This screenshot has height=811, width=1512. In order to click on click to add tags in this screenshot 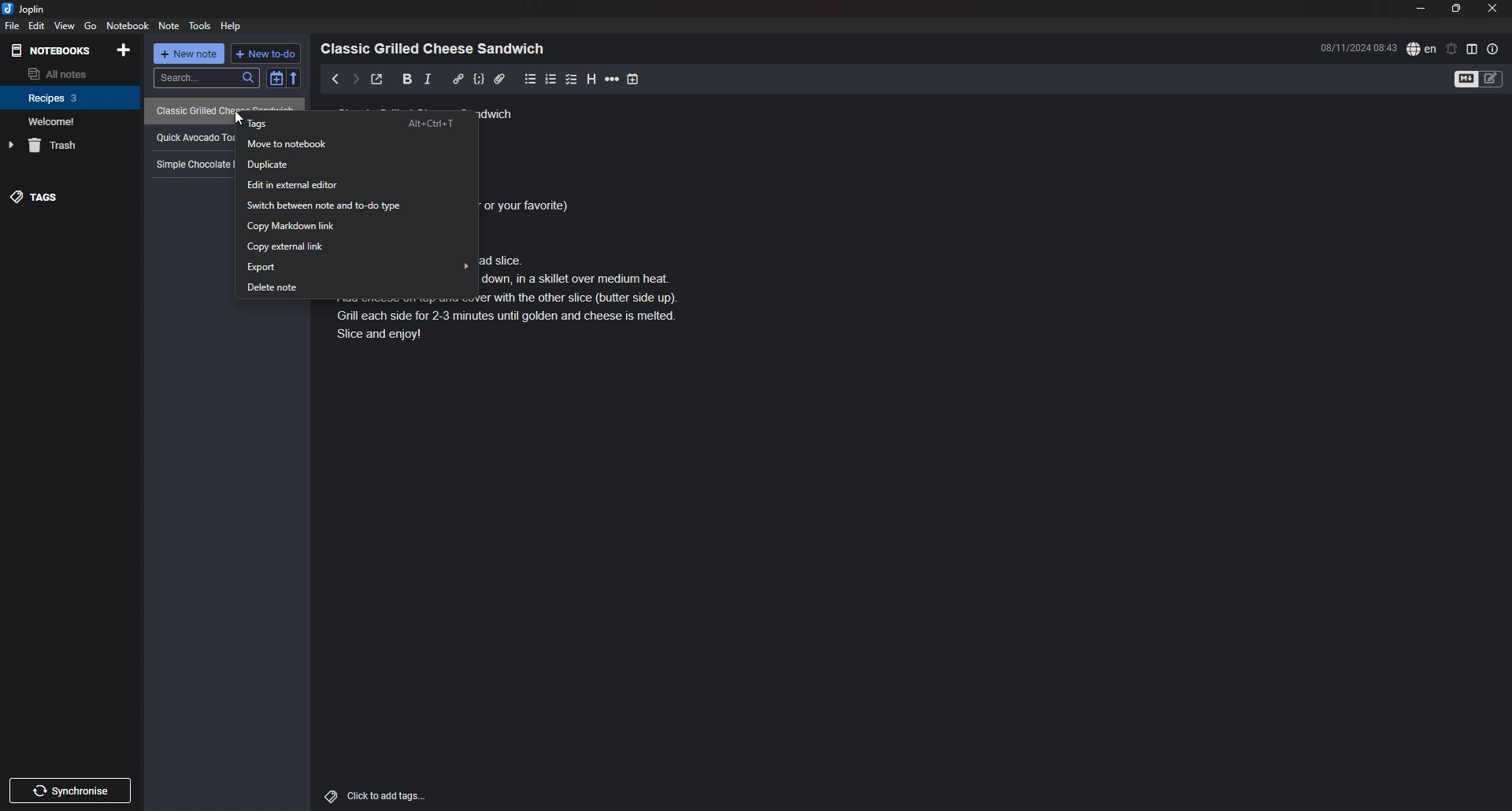, I will do `click(396, 795)`.